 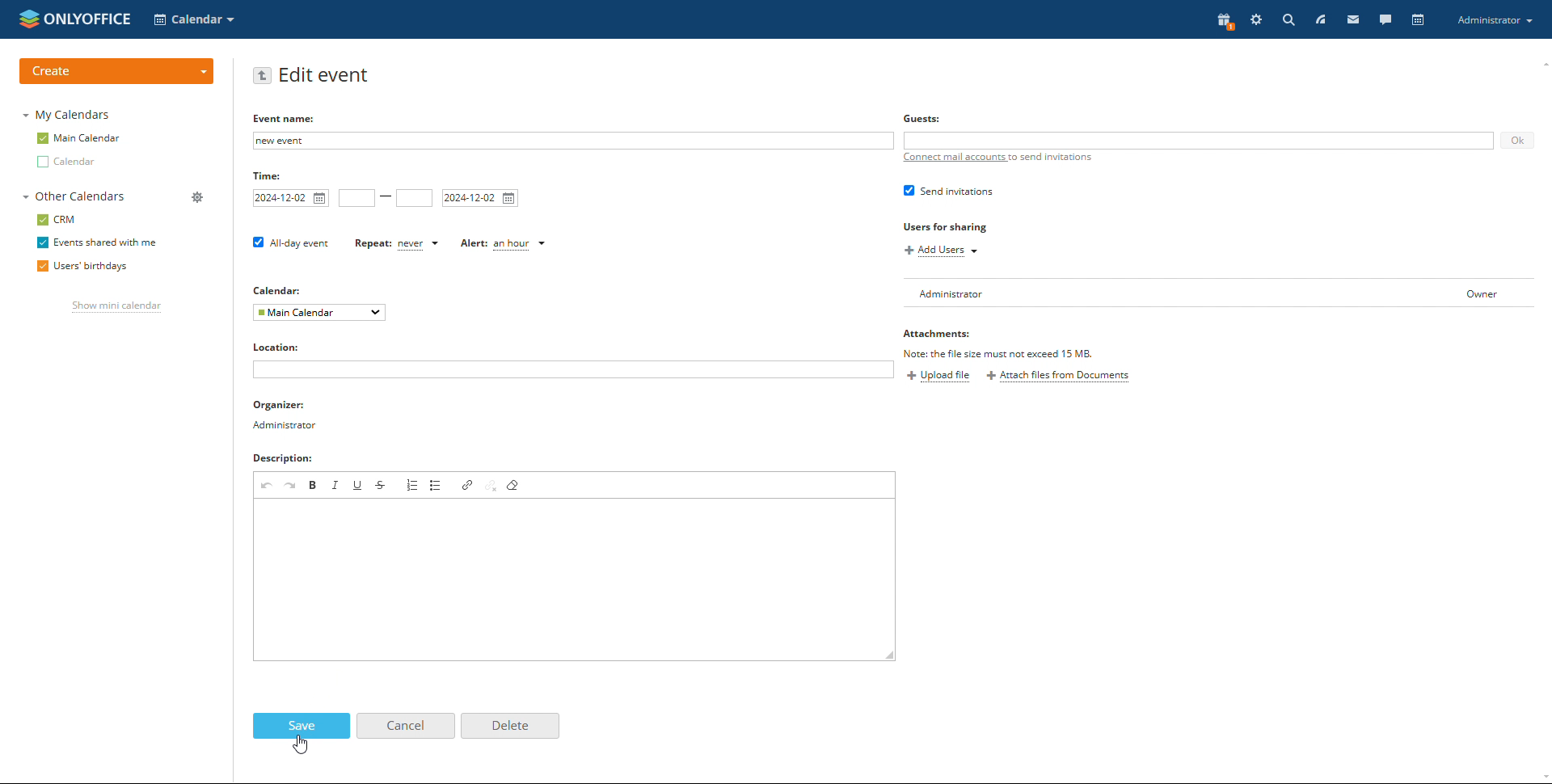 What do you see at coordinates (1256, 20) in the screenshot?
I see `setting` at bounding box center [1256, 20].